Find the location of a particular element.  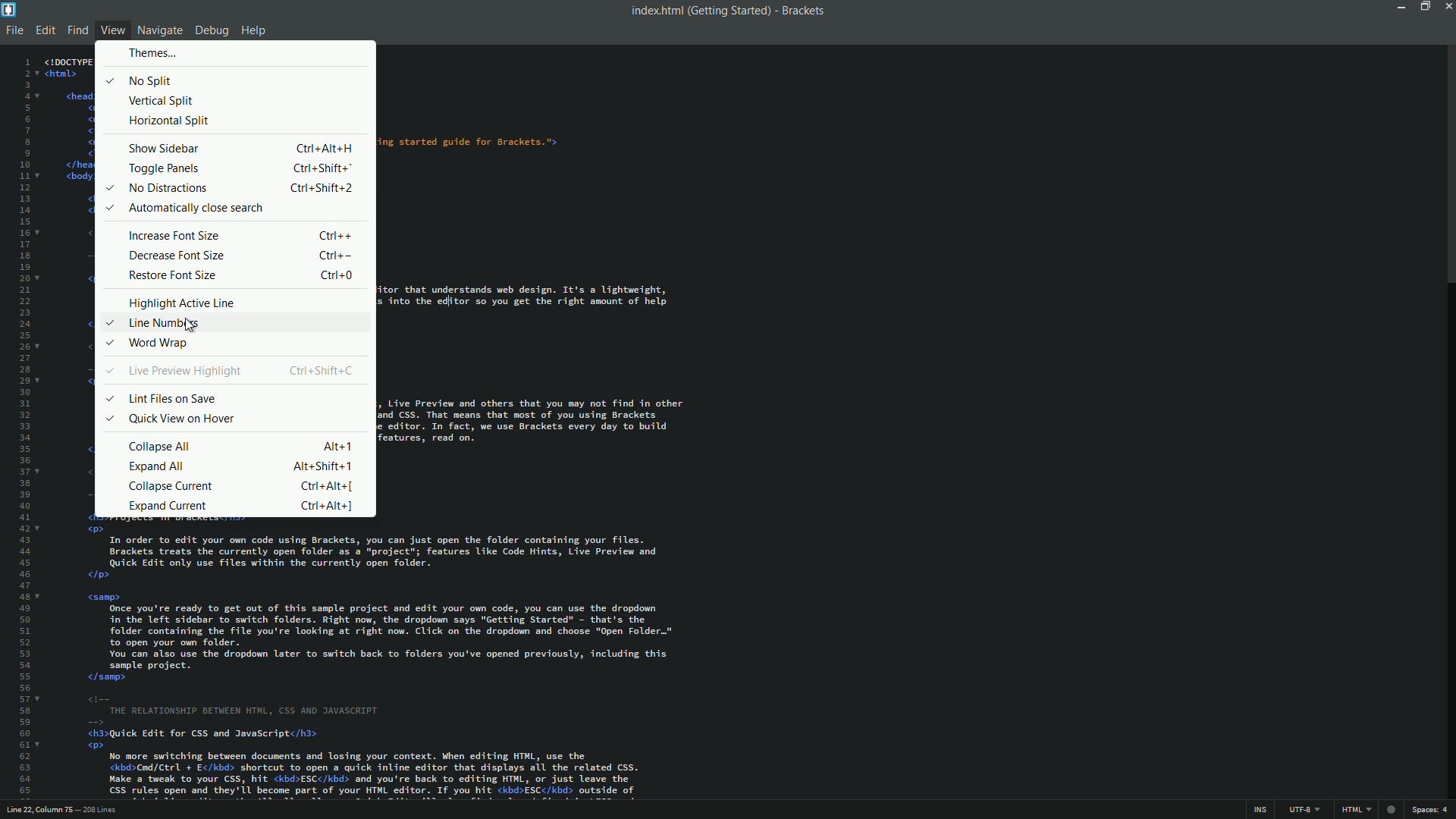

Vertical Split is located at coordinates (165, 100).